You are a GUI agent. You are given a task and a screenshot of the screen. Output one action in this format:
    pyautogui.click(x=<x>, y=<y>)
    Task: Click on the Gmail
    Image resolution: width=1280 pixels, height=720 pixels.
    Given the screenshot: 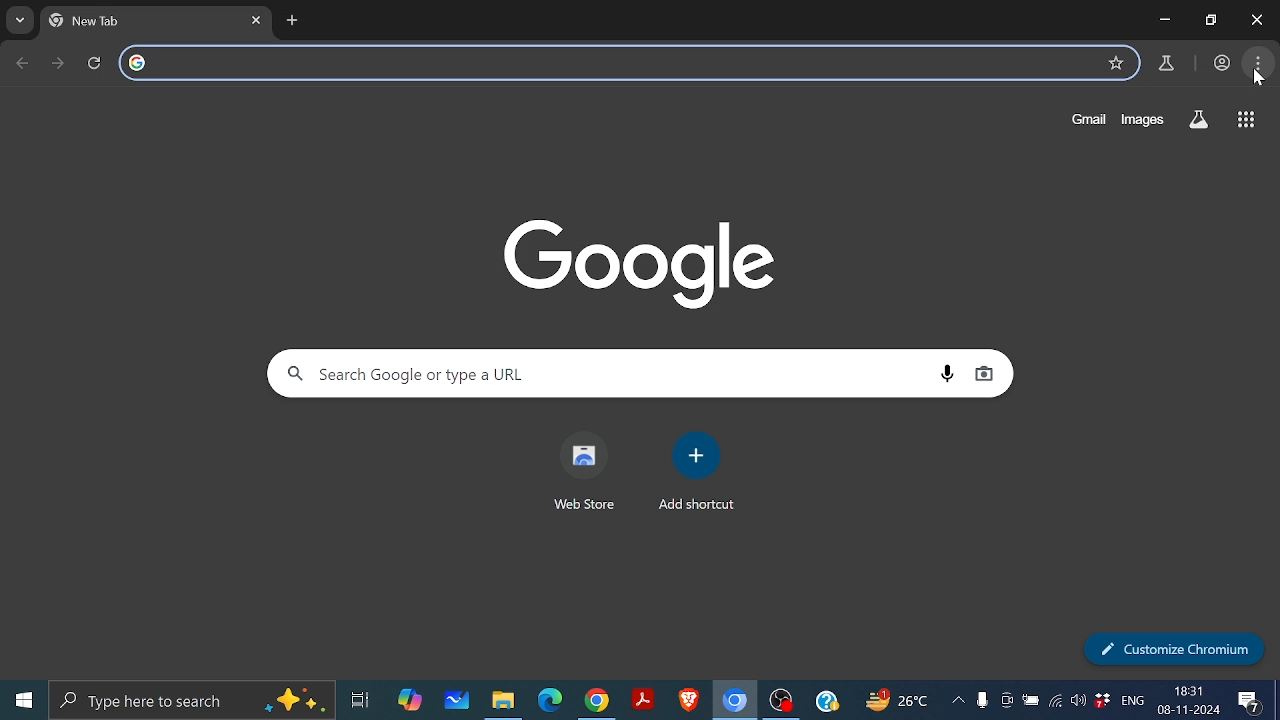 What is the action you would take?
    pyautogui.click(x=1082, y=119)
    